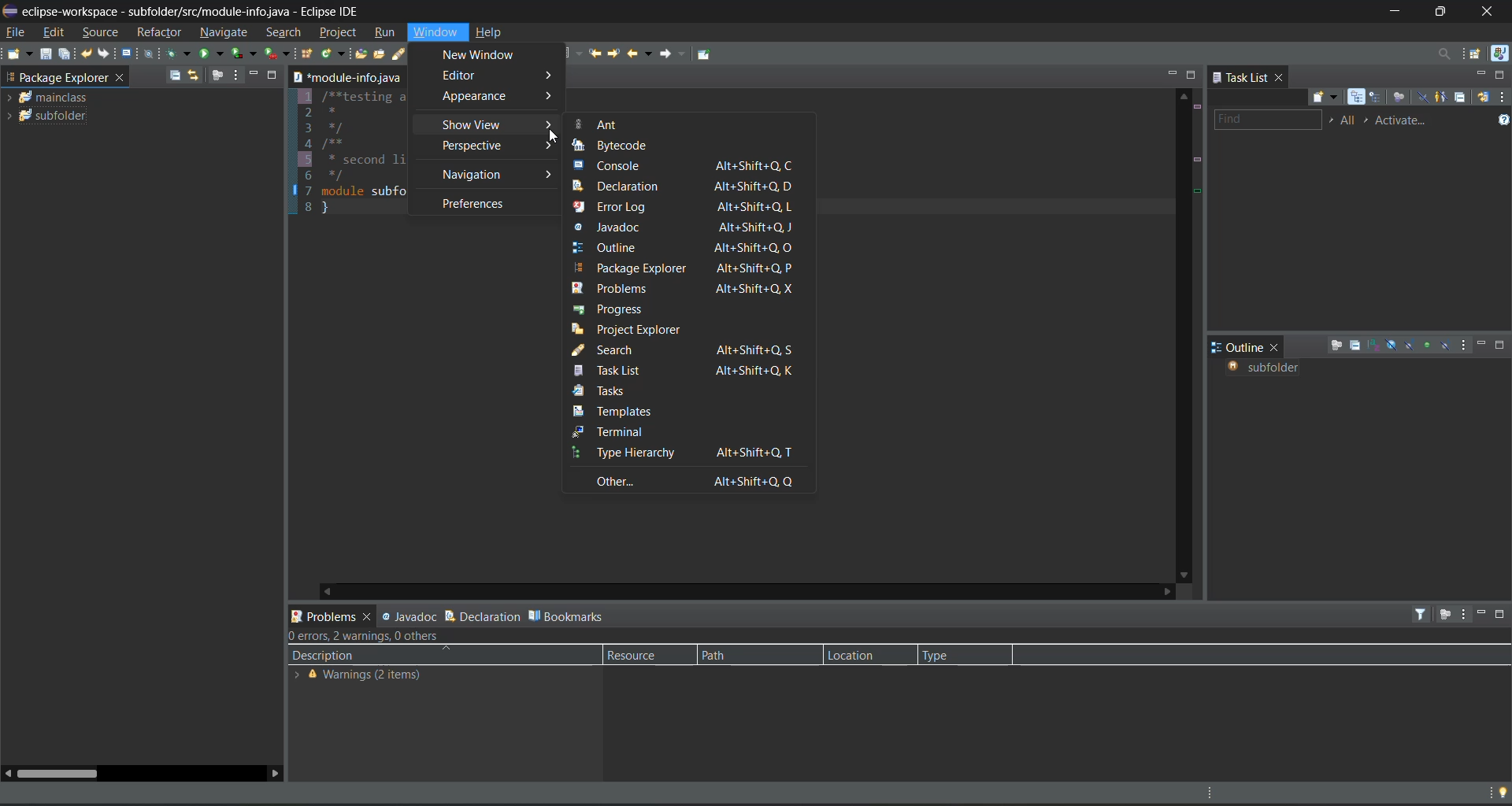  Describe the element at coordinates (246, 53) in the screenshot. I see `coverage` at that location.